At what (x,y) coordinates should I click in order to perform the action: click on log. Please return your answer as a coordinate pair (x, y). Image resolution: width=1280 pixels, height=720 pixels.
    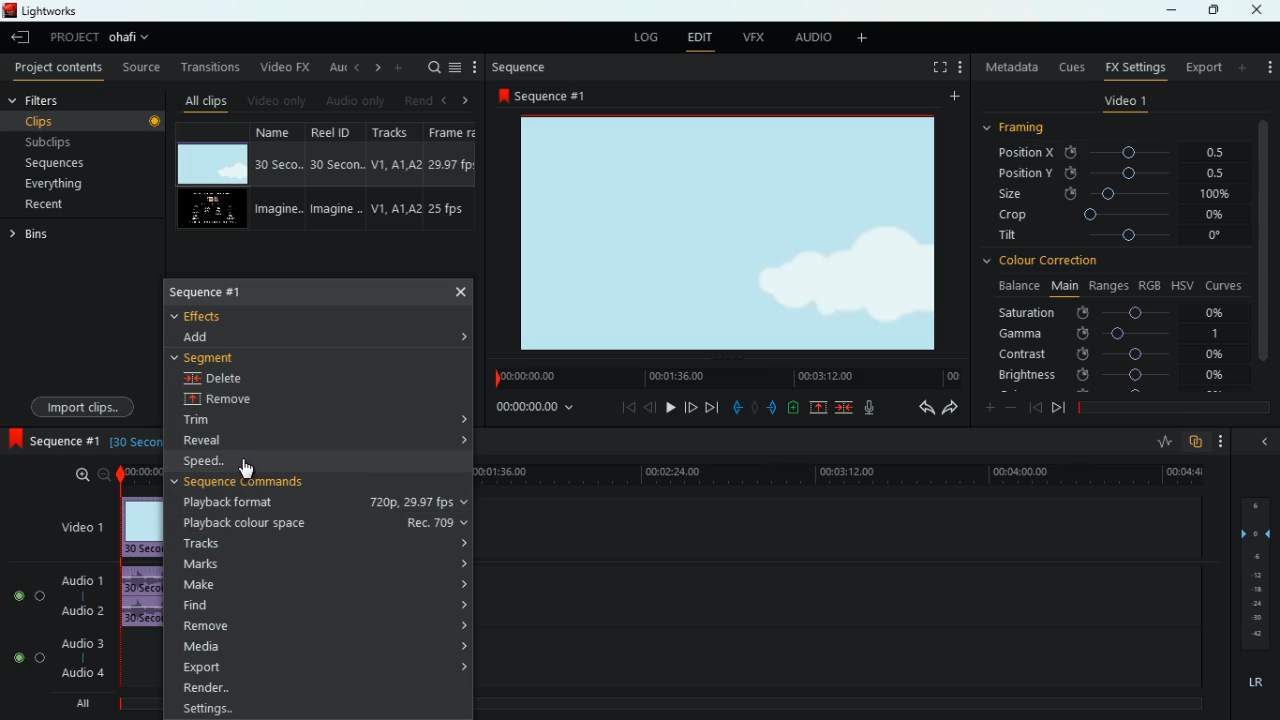
    Looking at the image, I should click on (643, 35).